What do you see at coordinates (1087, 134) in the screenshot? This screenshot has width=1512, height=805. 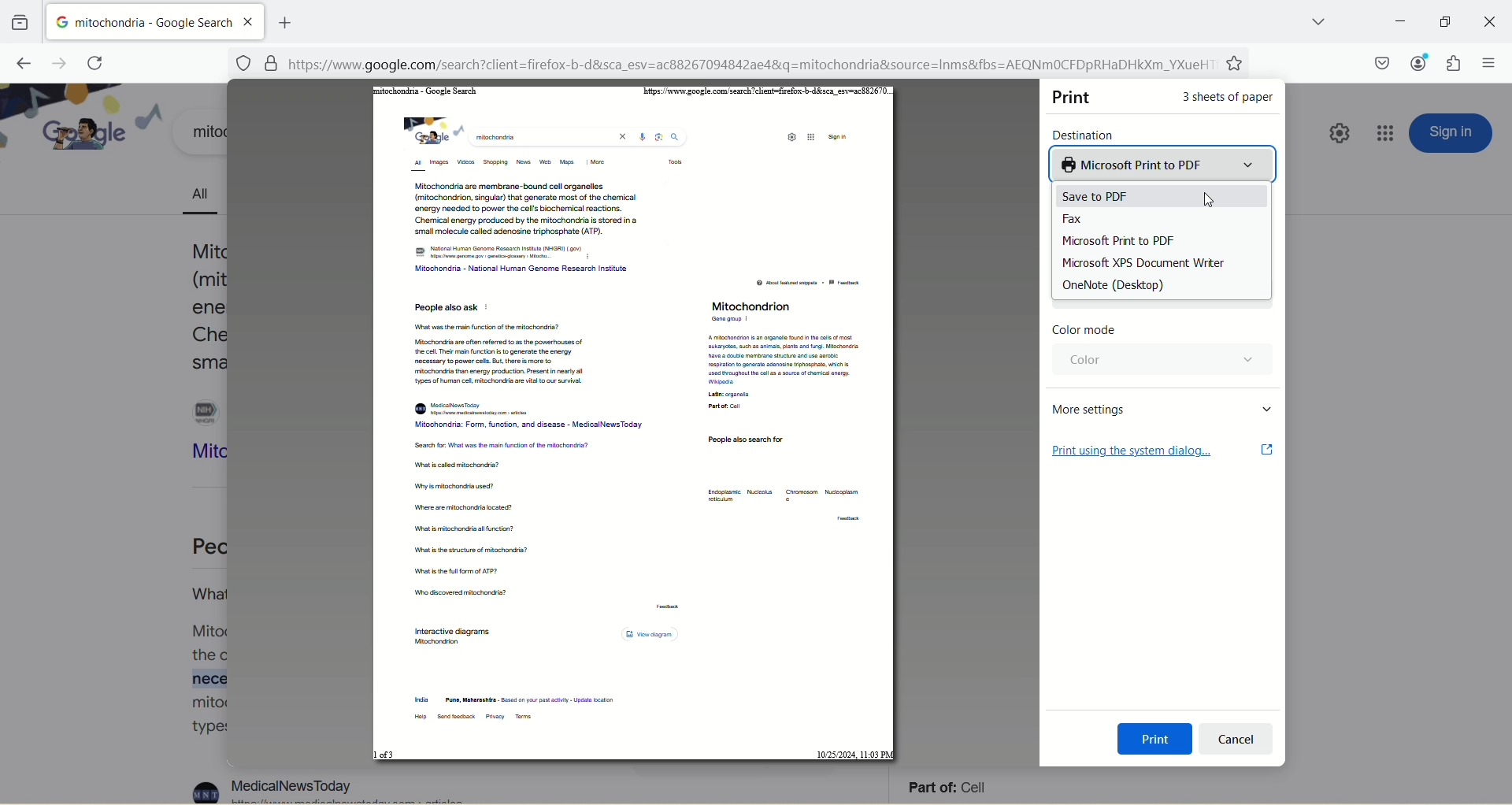 I see `destination` at bounding box center [1087, 134].